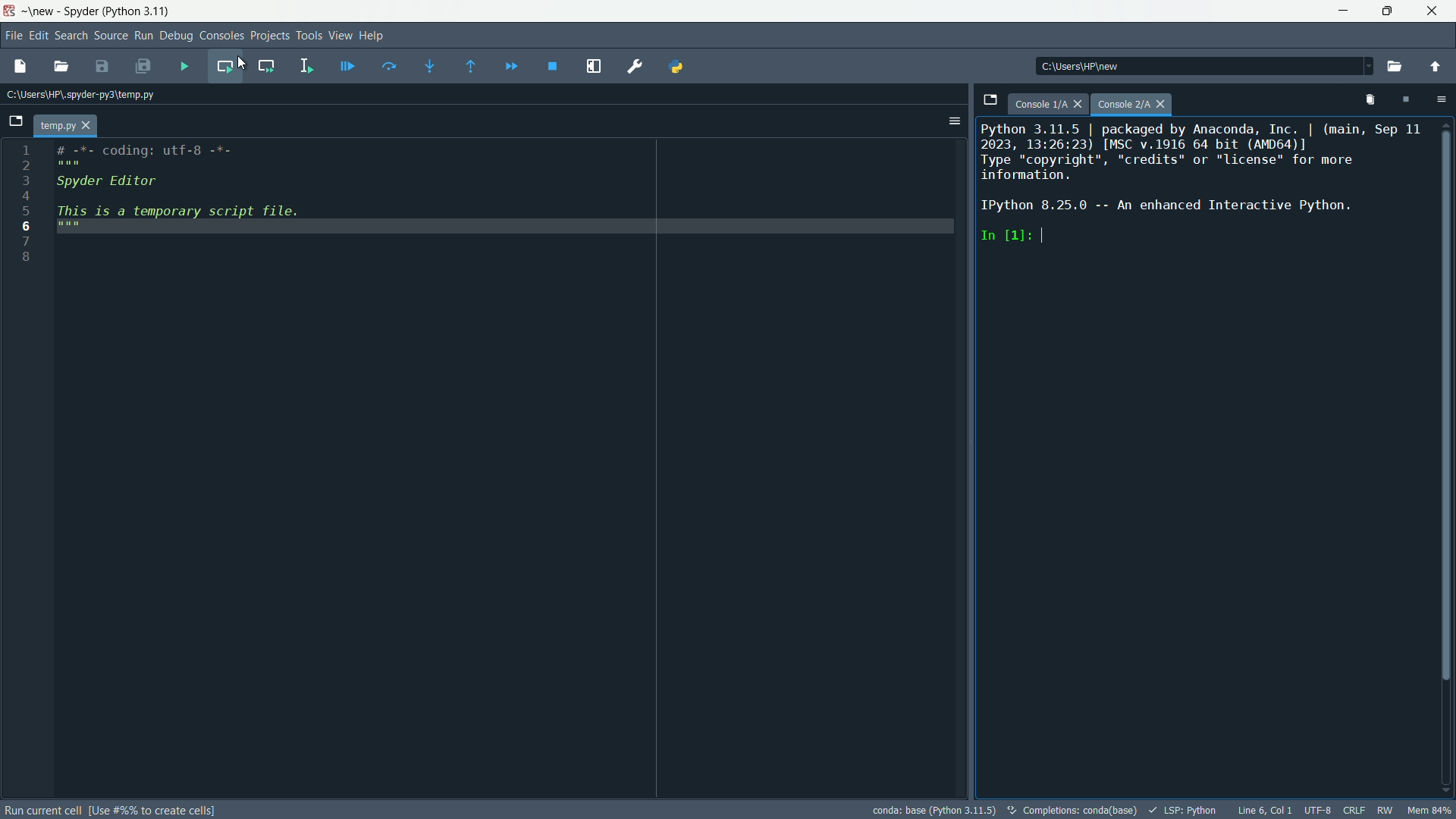 The image size is (1456, 819). I want to click on cursor, so click(242, 64).